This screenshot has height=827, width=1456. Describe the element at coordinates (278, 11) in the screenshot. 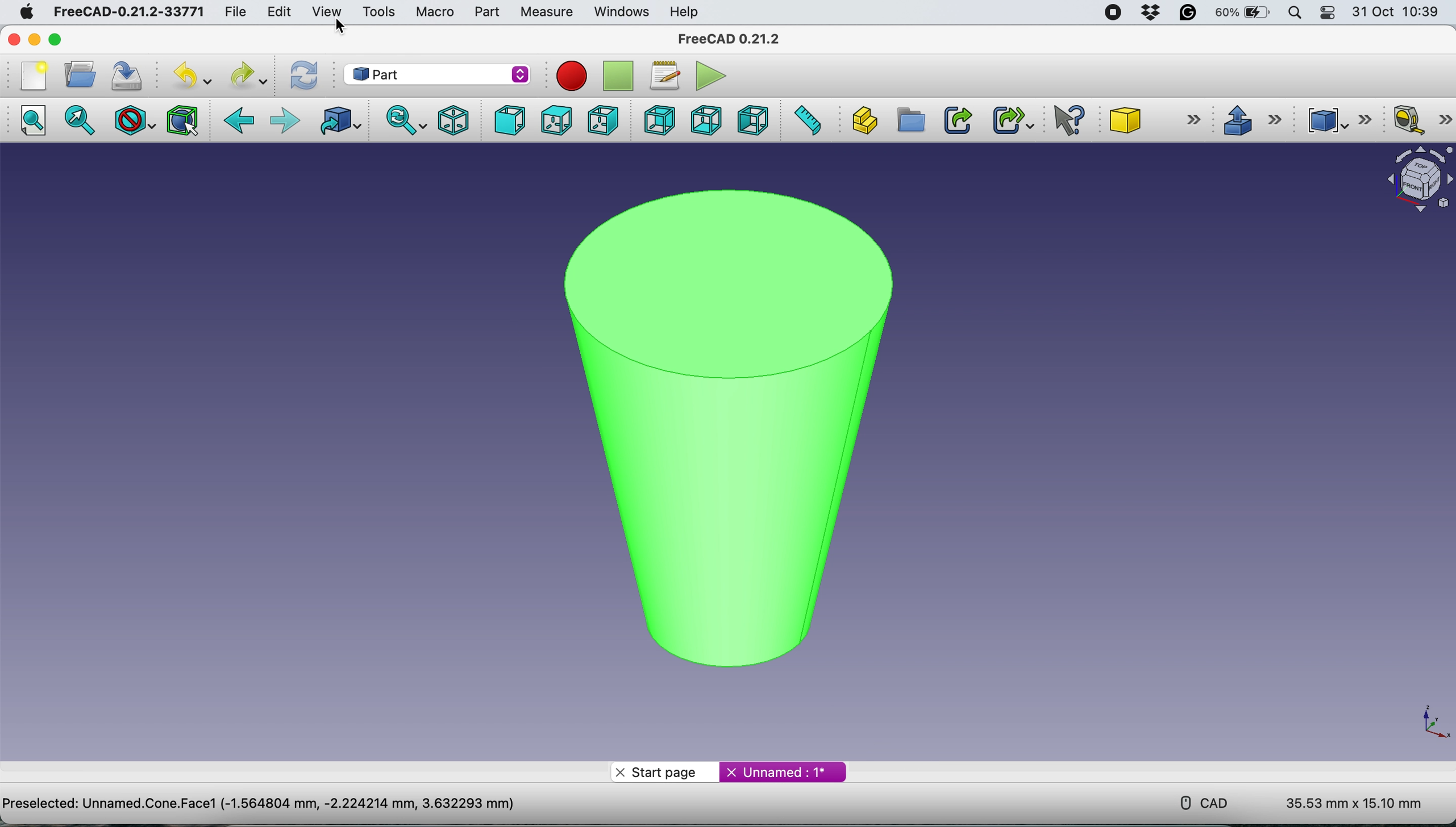

I see `edit` at that location.